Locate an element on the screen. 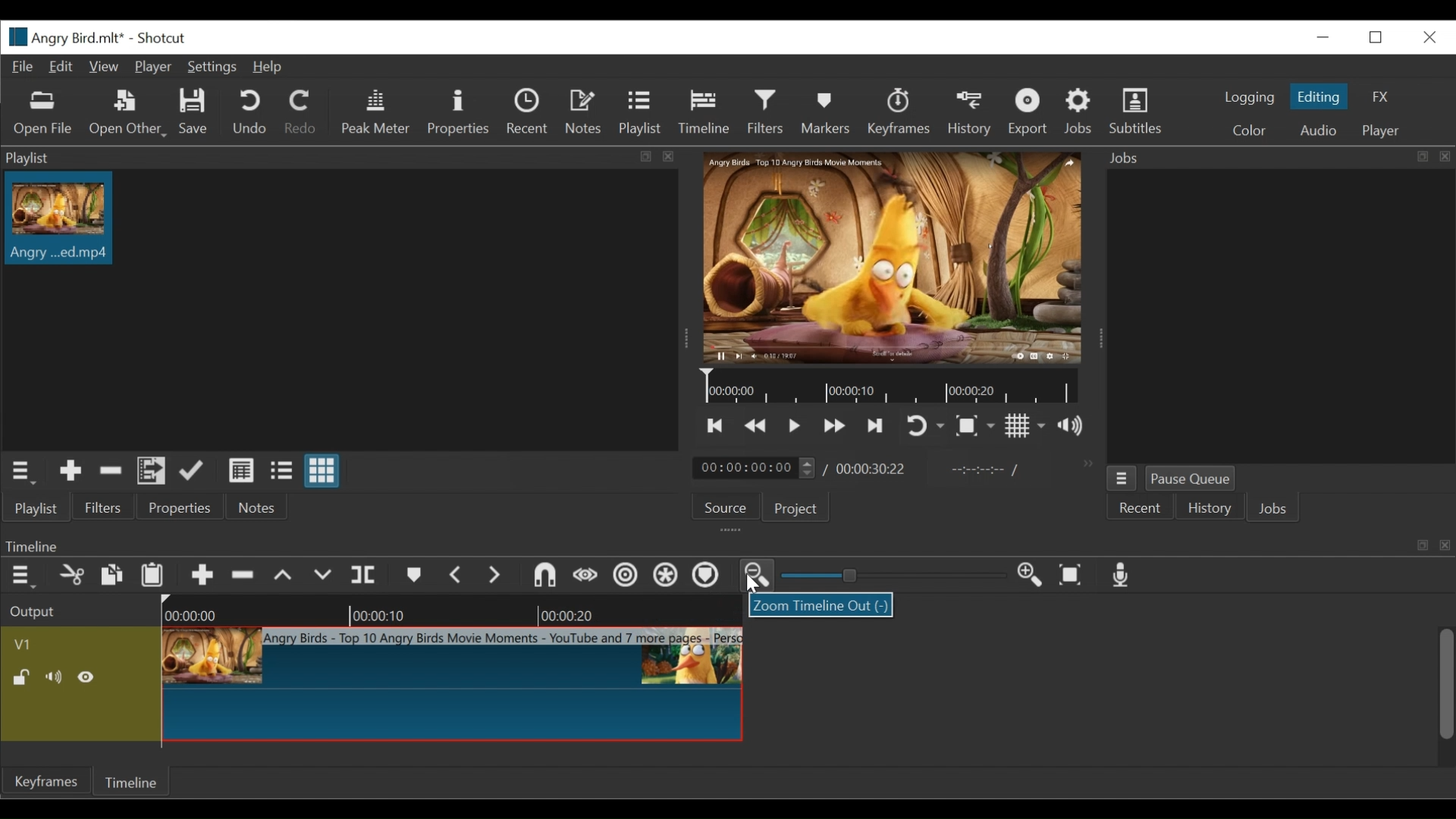 Image resolution: width=1456 pixels, height=819 pixels. Markers is located at coordinates (827, 112).